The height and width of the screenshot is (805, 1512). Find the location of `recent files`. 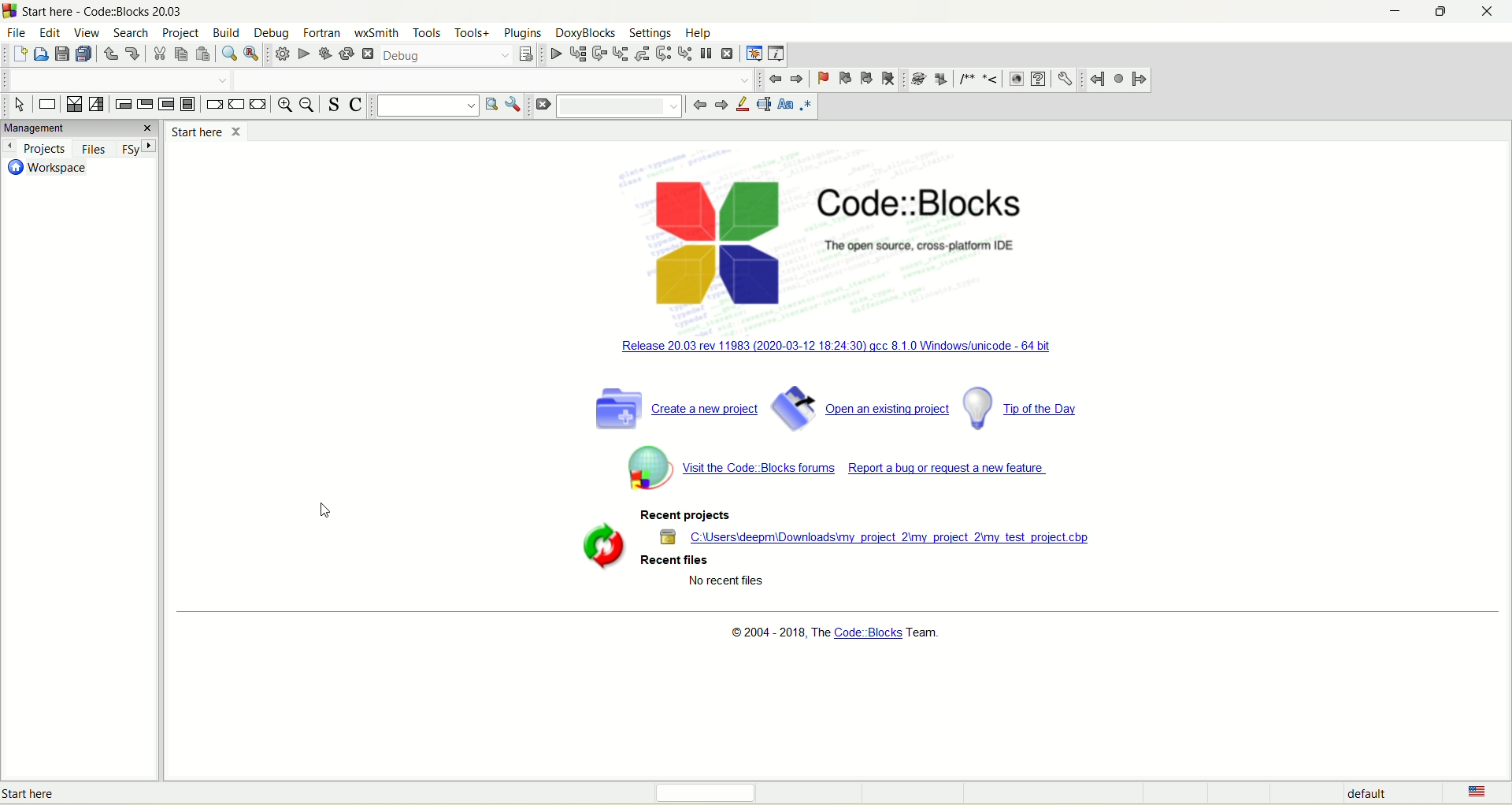

recent files is located at coordinates (677, 562).